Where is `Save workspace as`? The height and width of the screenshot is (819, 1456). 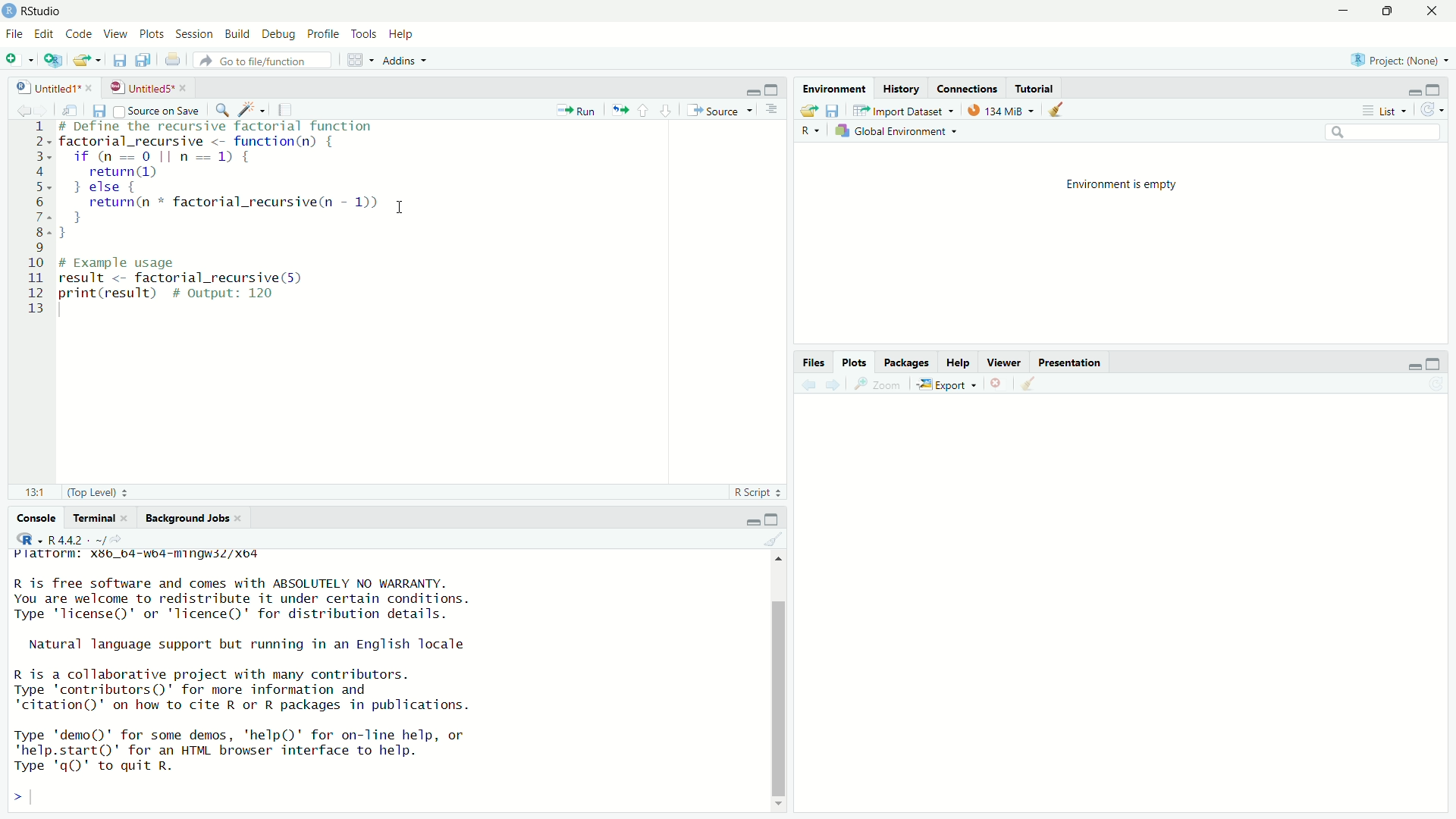
Save workspace as is located at coordinates (836, 110).